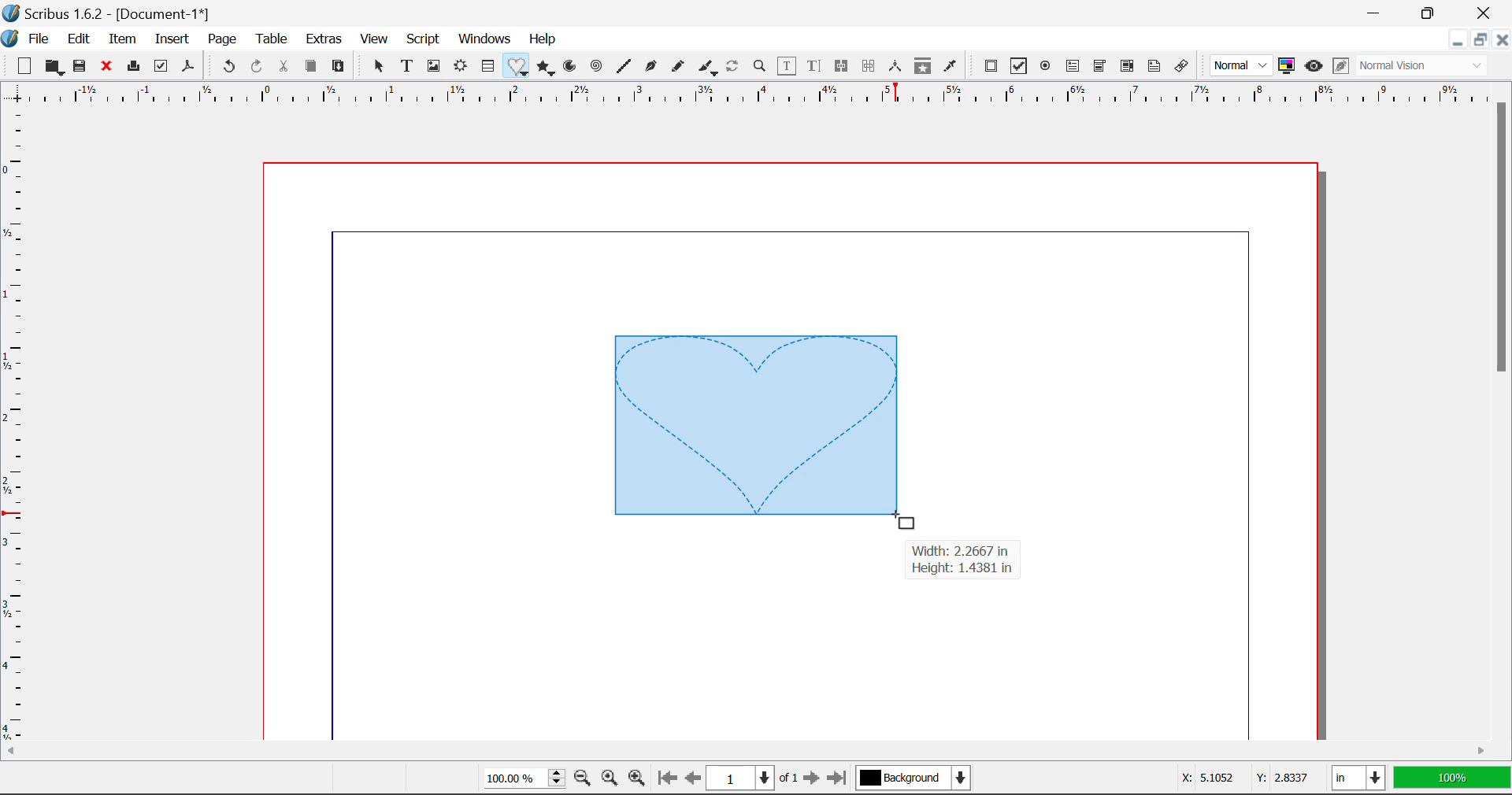  I want to click on Previous, so click(694, 779).